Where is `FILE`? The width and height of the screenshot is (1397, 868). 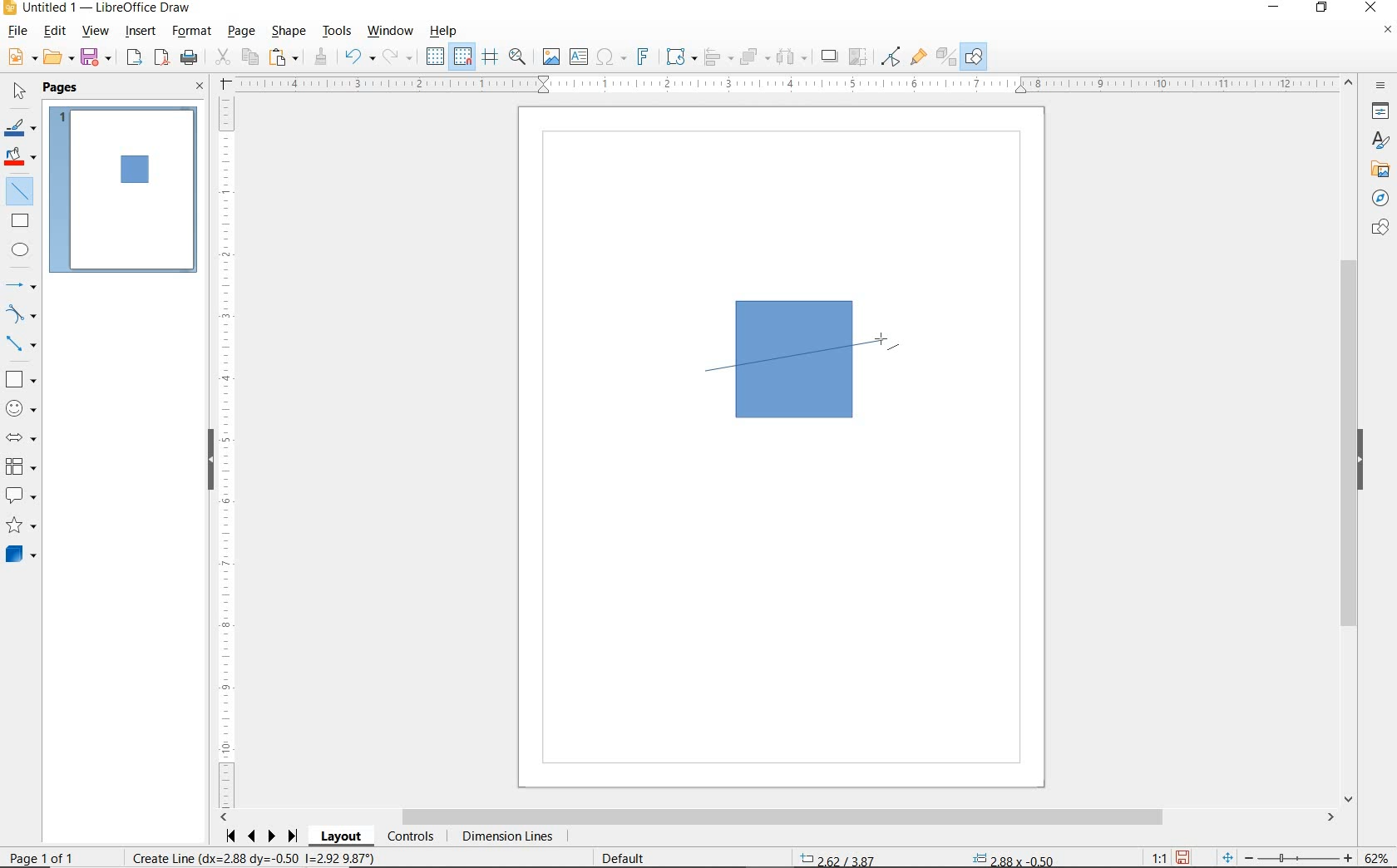 FILE is located at coordinates (16, 32).